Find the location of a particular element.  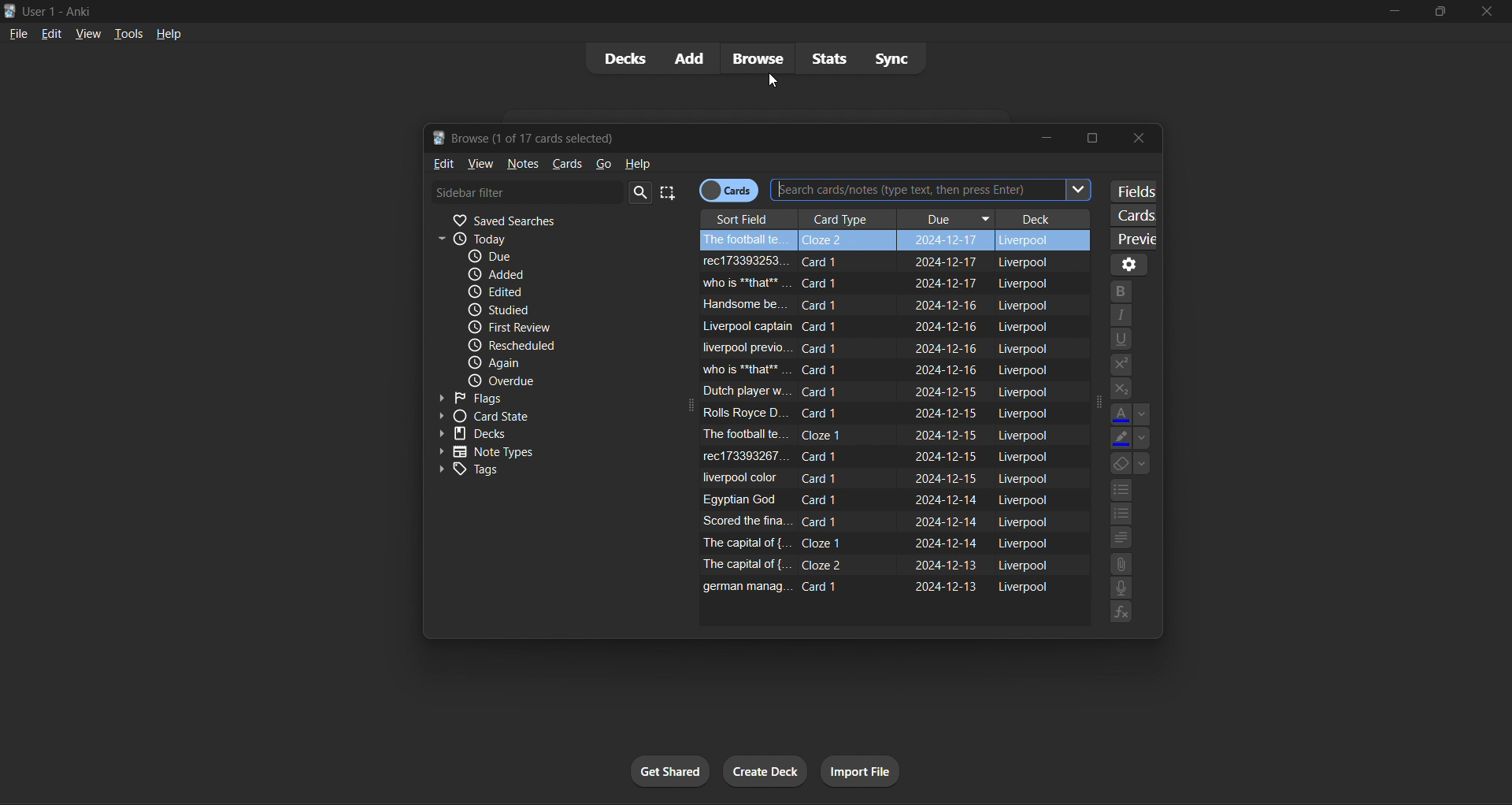

field is located at coordinates (747, 282).